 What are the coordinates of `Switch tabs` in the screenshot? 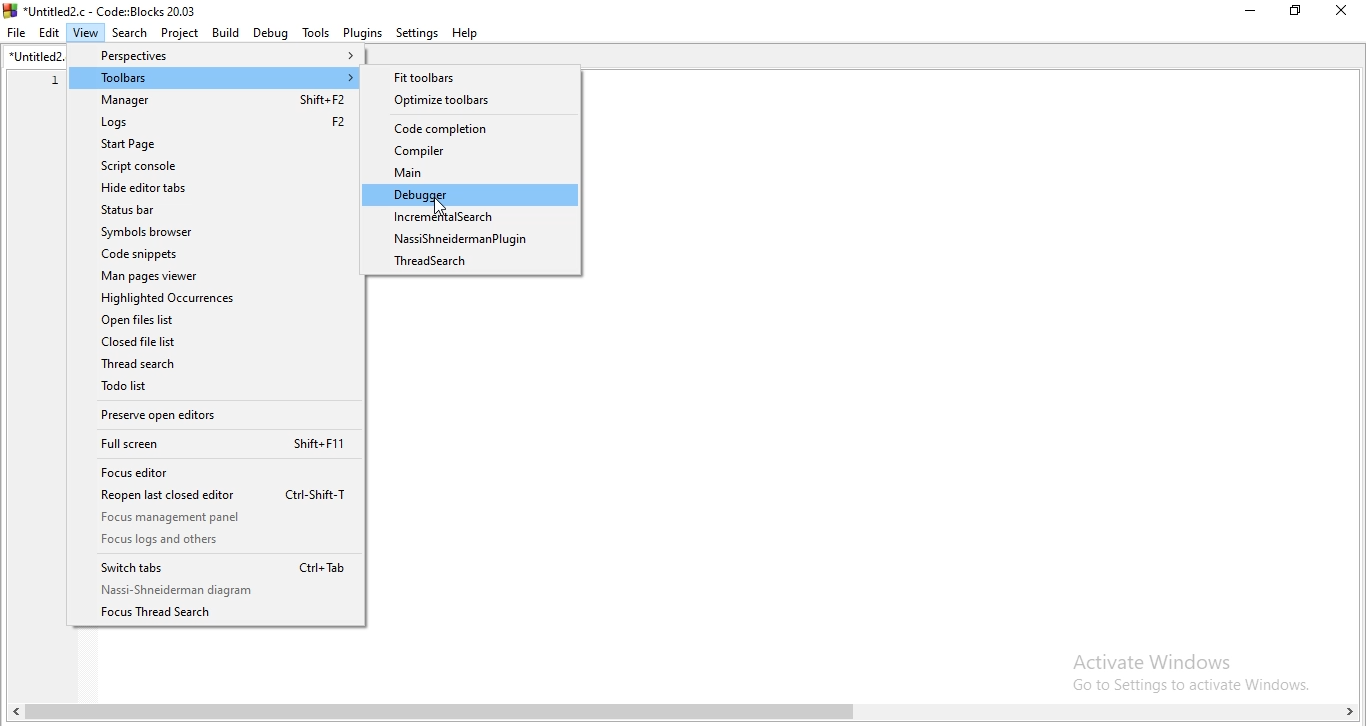 It's located at (220, 567).